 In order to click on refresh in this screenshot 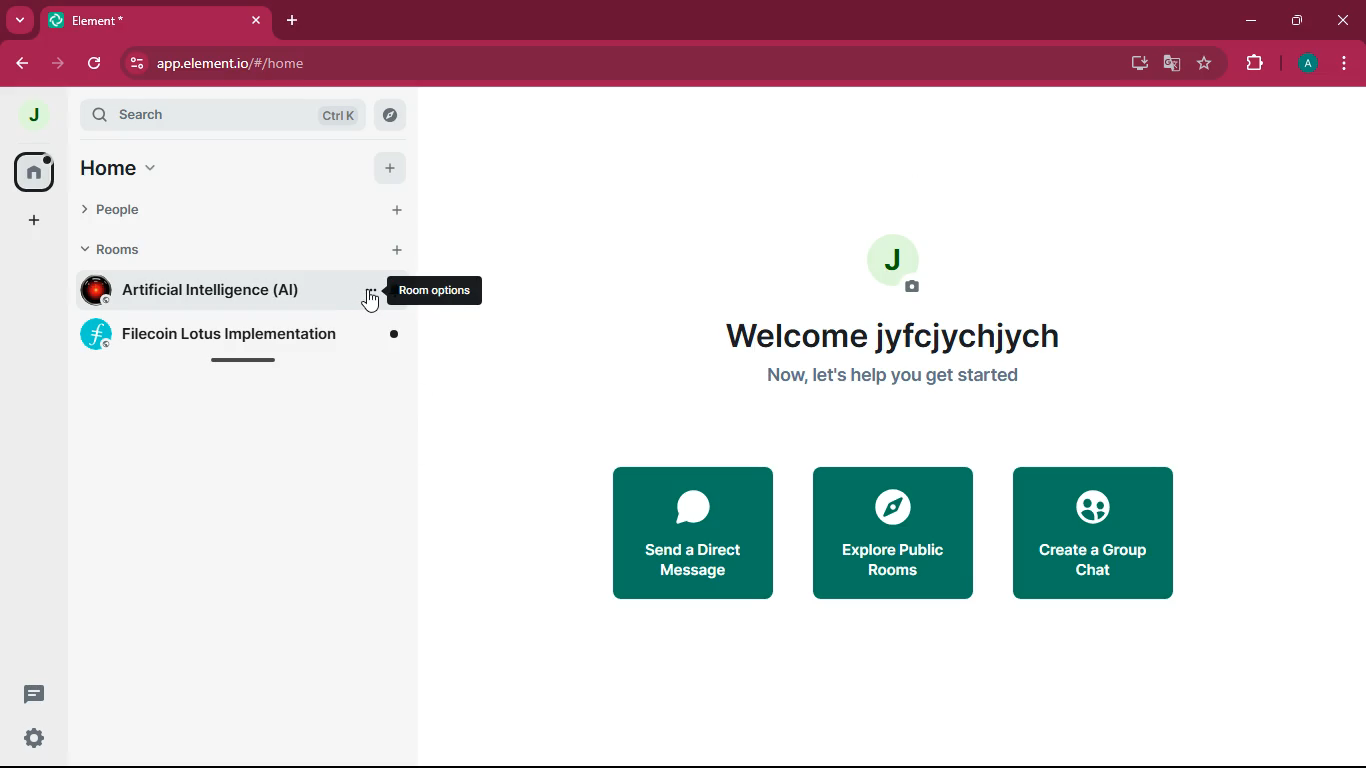, I will do `click(96, 64)`.